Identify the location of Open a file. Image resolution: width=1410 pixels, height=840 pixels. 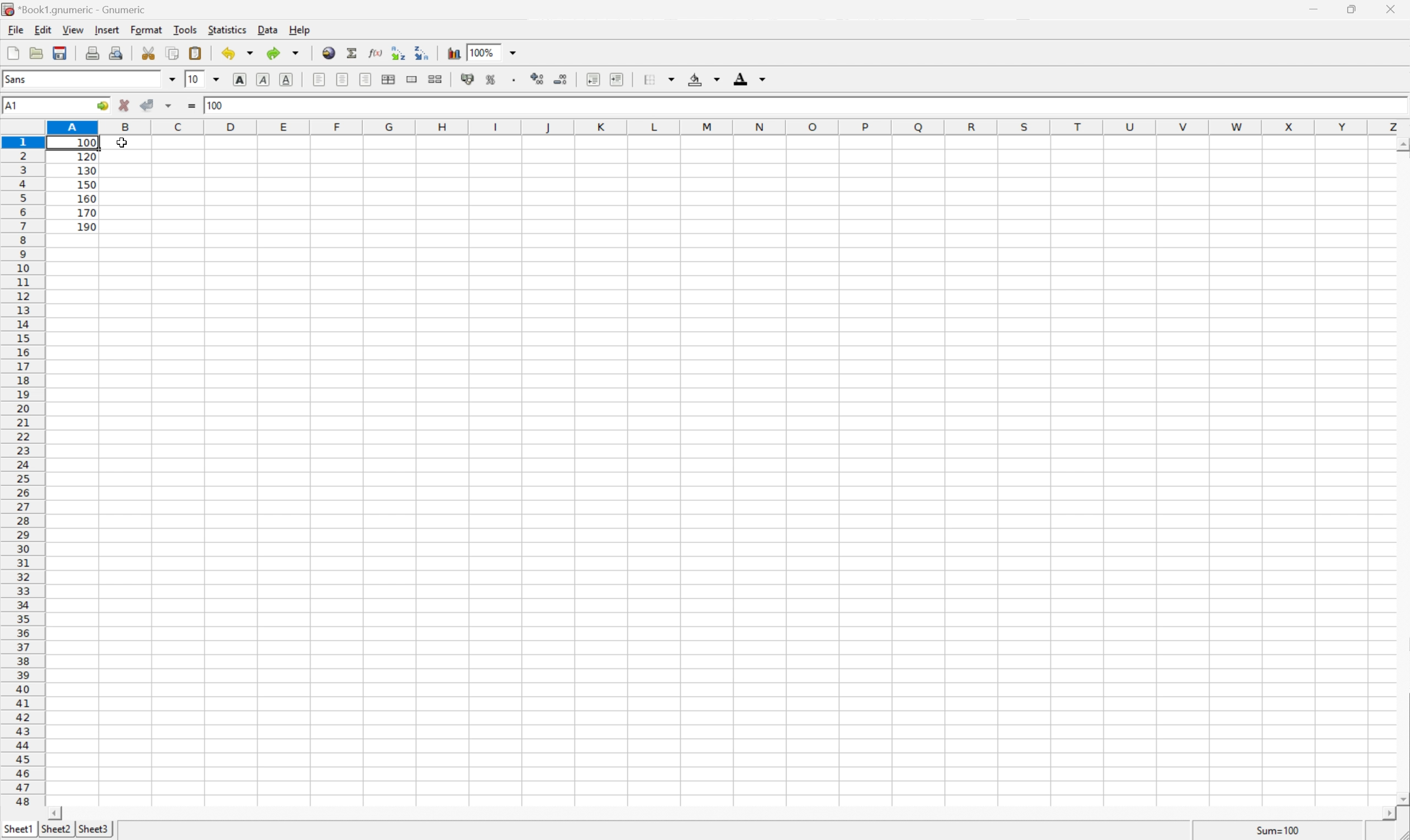
(37, 53).